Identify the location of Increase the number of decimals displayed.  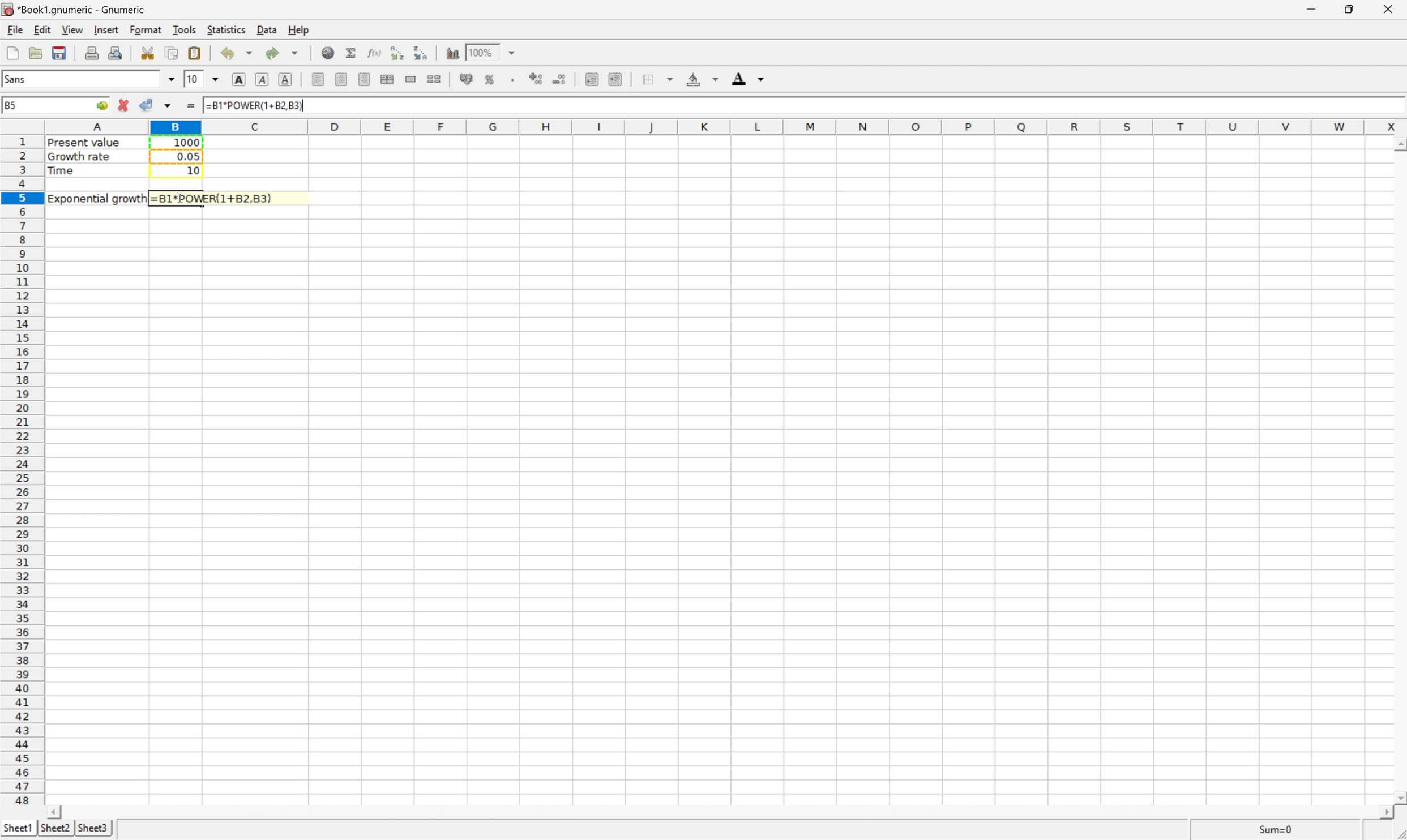
(537, 79).